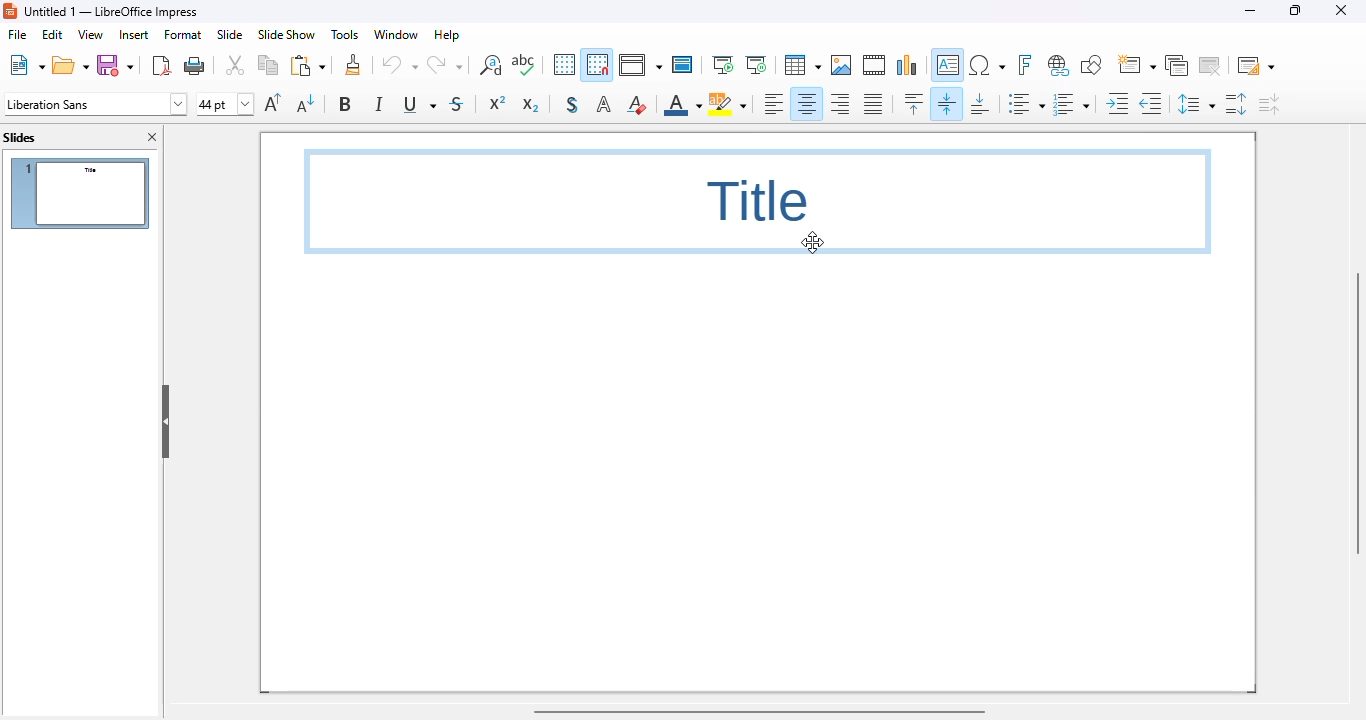 This screenshot has height=720, width=1366. What do you see at coordinates (354, 65) in the screenshot?
I see `clone formatting` at bounding box center [354, 65].